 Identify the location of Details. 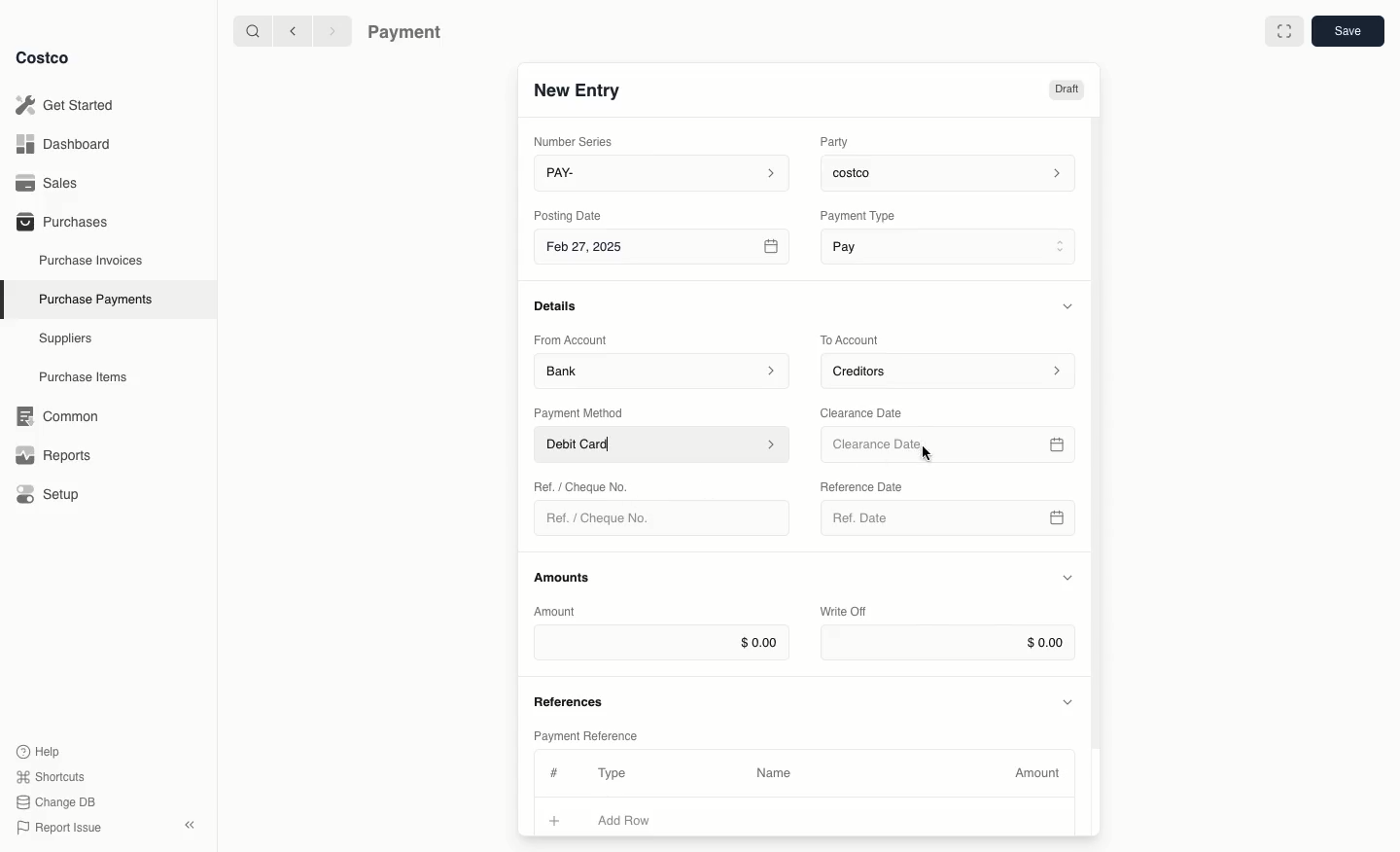
(561, 305).